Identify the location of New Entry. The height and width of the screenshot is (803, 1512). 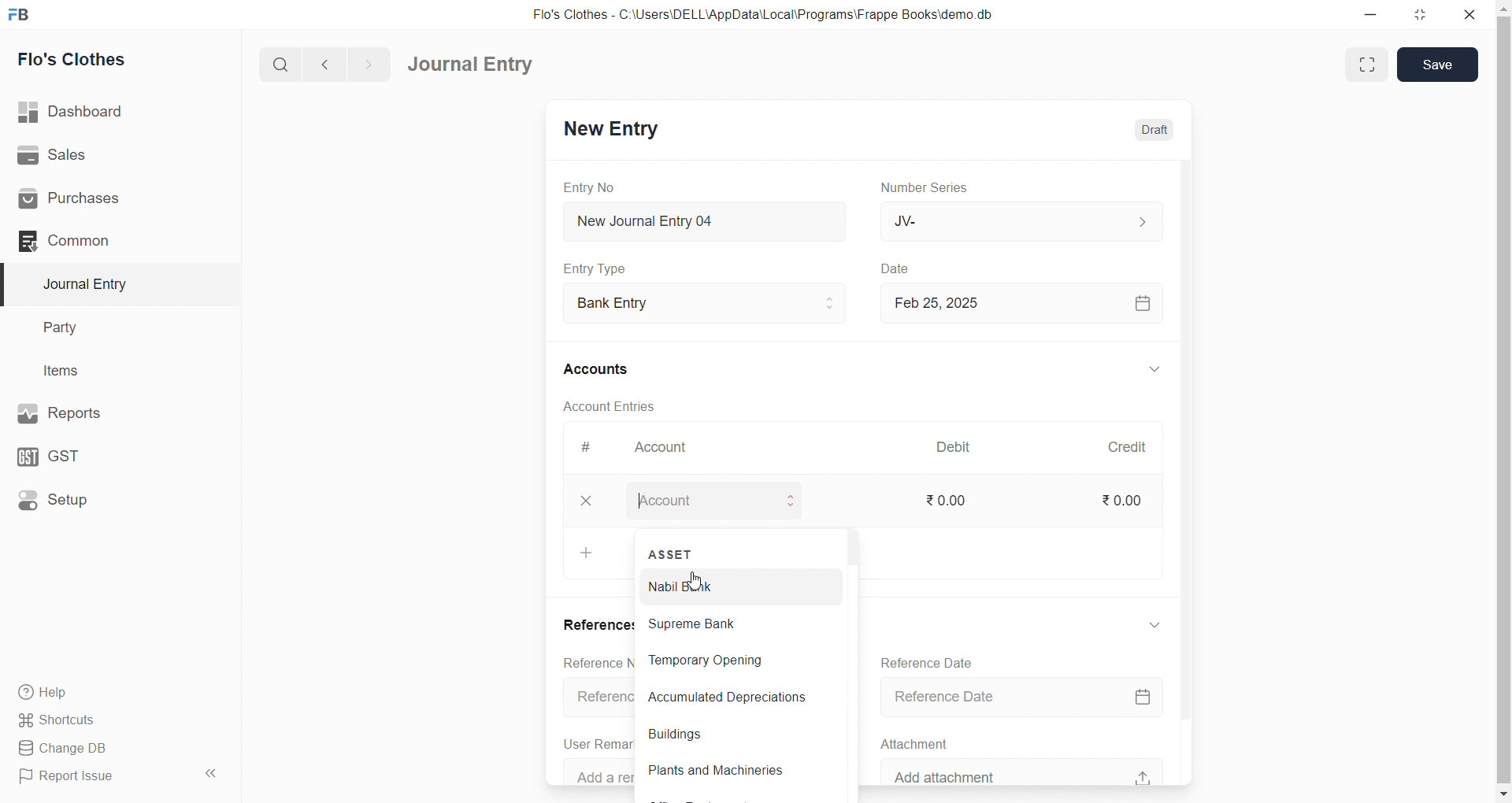
(617, 131).